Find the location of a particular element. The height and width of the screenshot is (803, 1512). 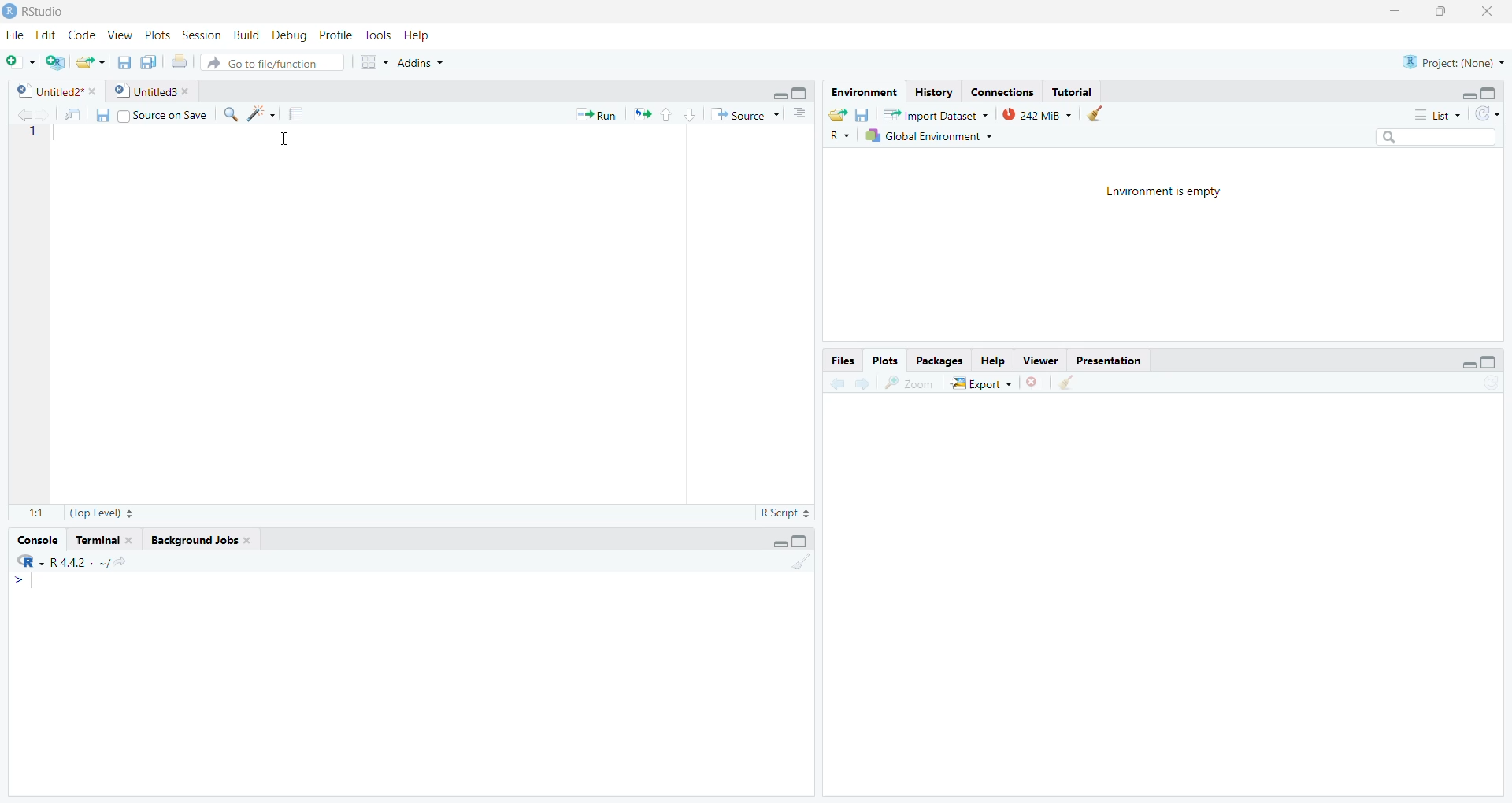

File is located at coordinates (17, 36).